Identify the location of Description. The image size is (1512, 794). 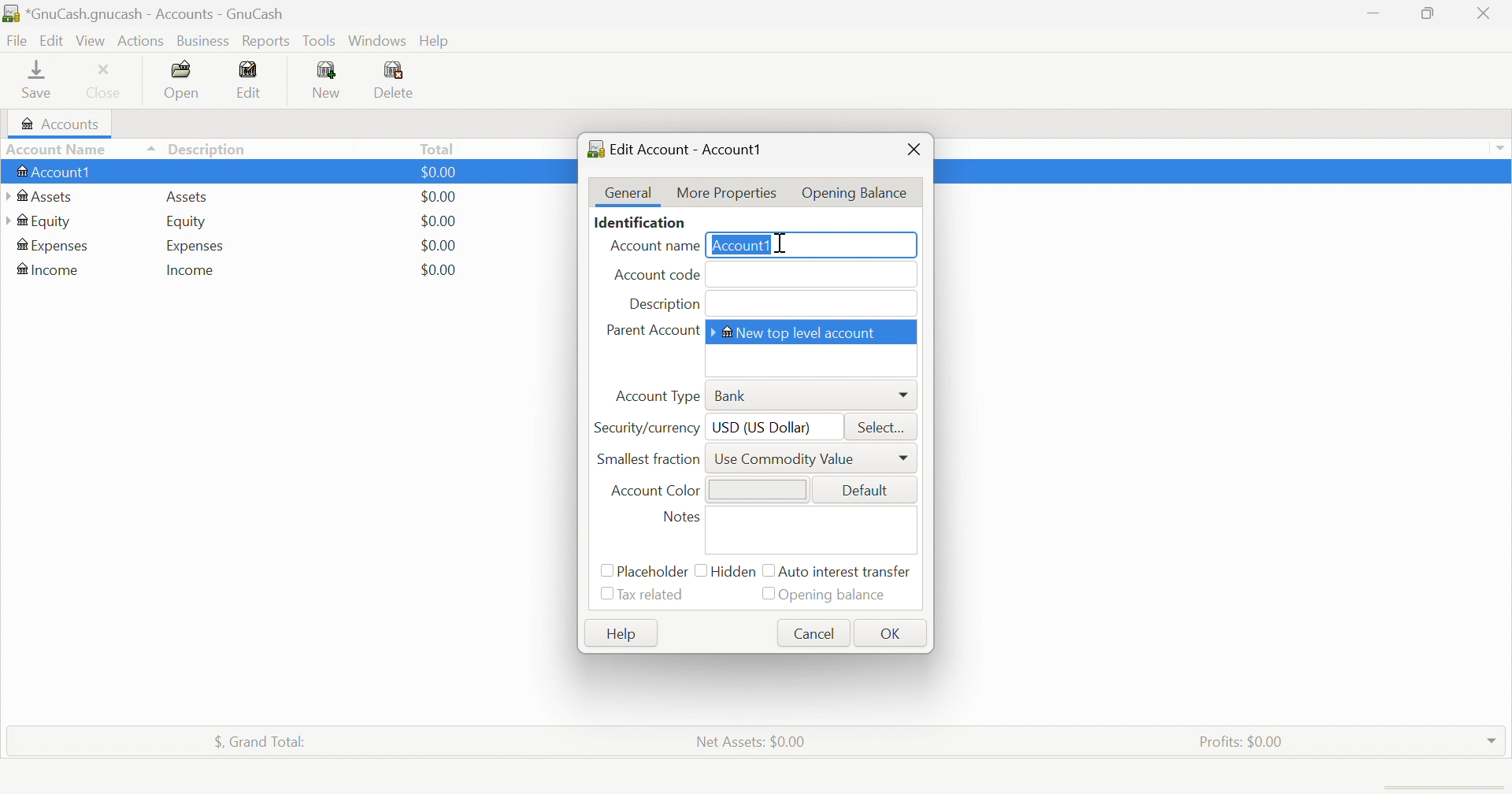
(207, 149).